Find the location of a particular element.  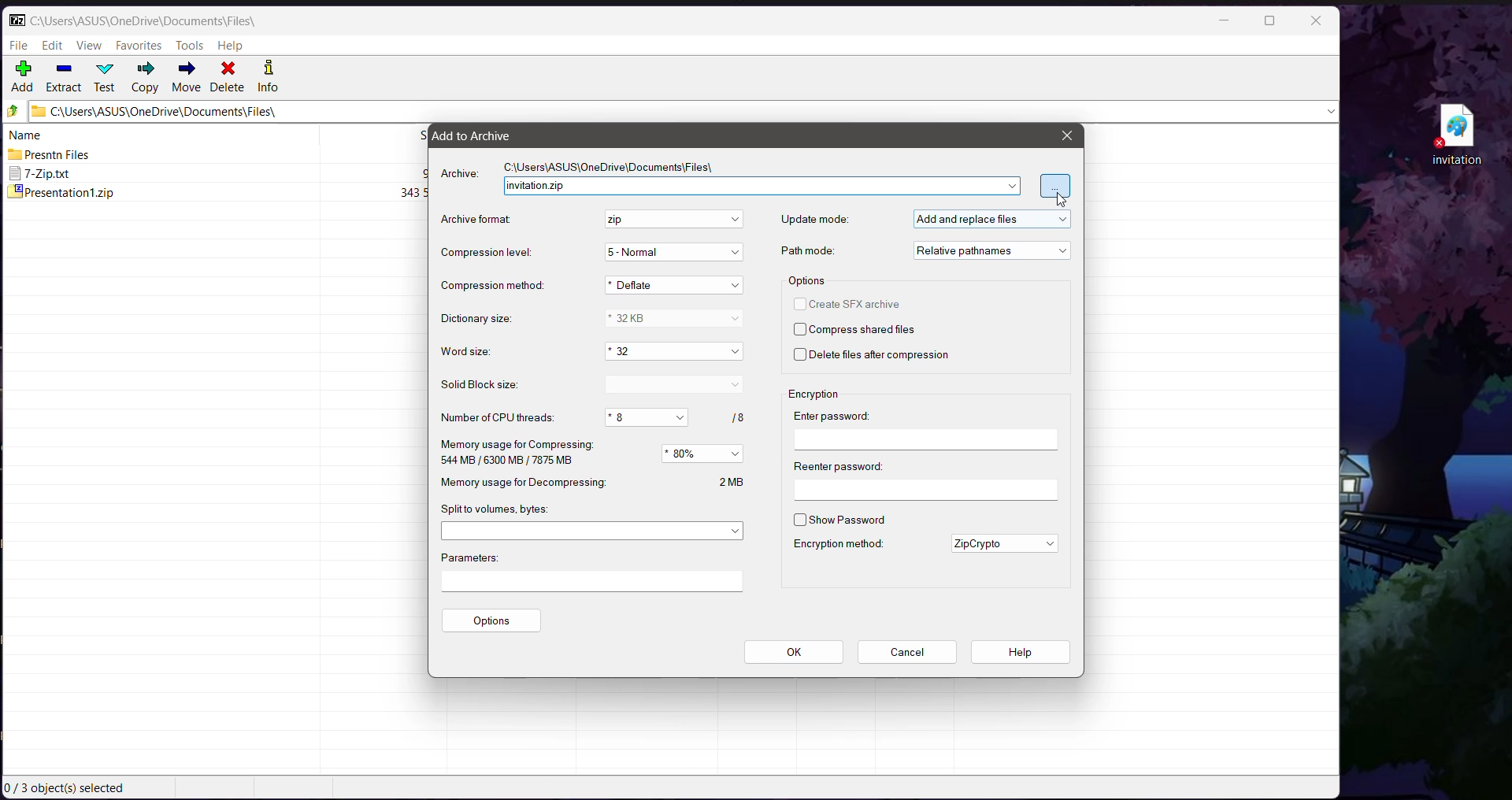

Archive Format is located at coordinates (484, 220).